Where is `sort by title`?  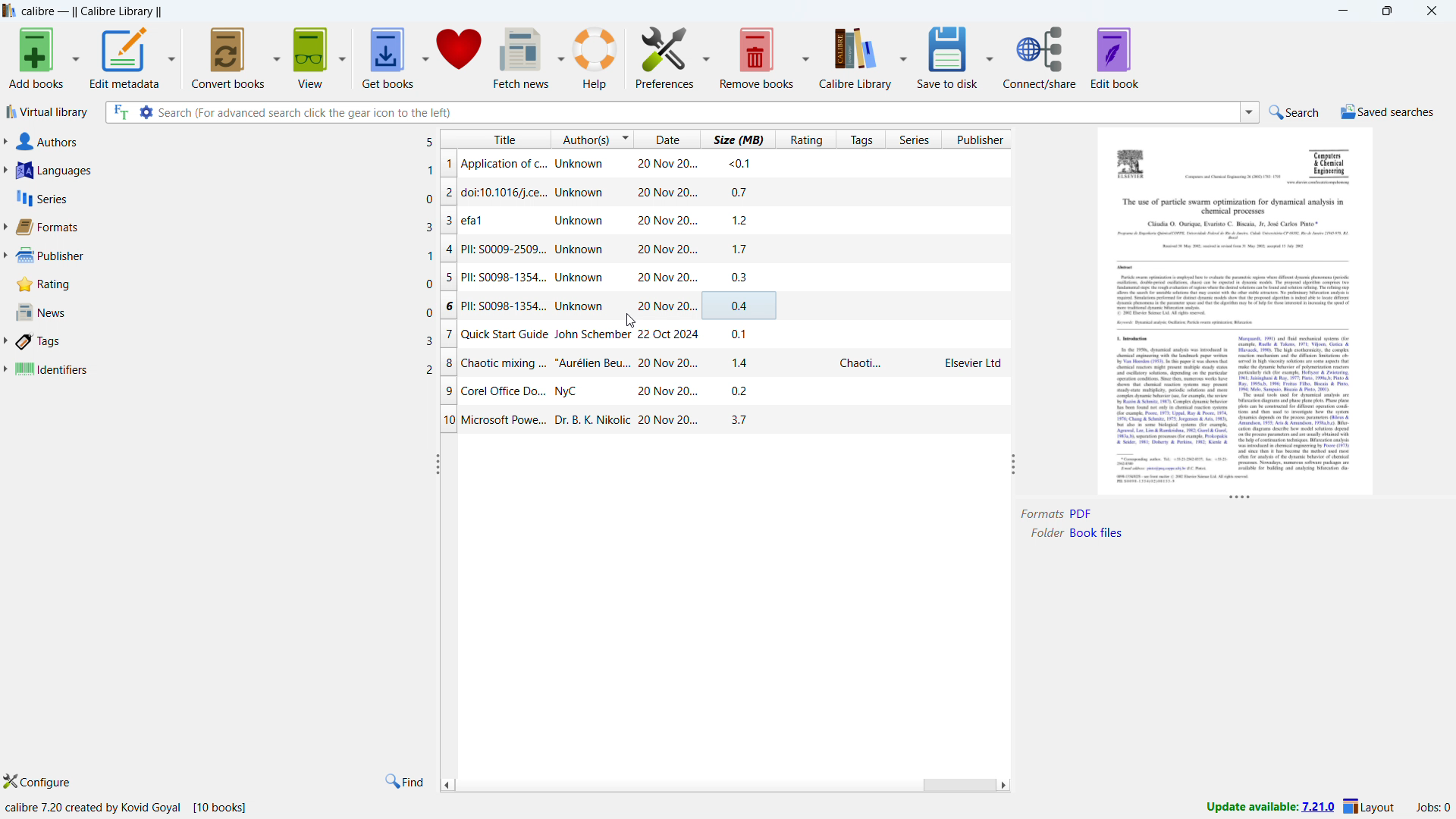 sort by title is located at coordinates (496, 138).